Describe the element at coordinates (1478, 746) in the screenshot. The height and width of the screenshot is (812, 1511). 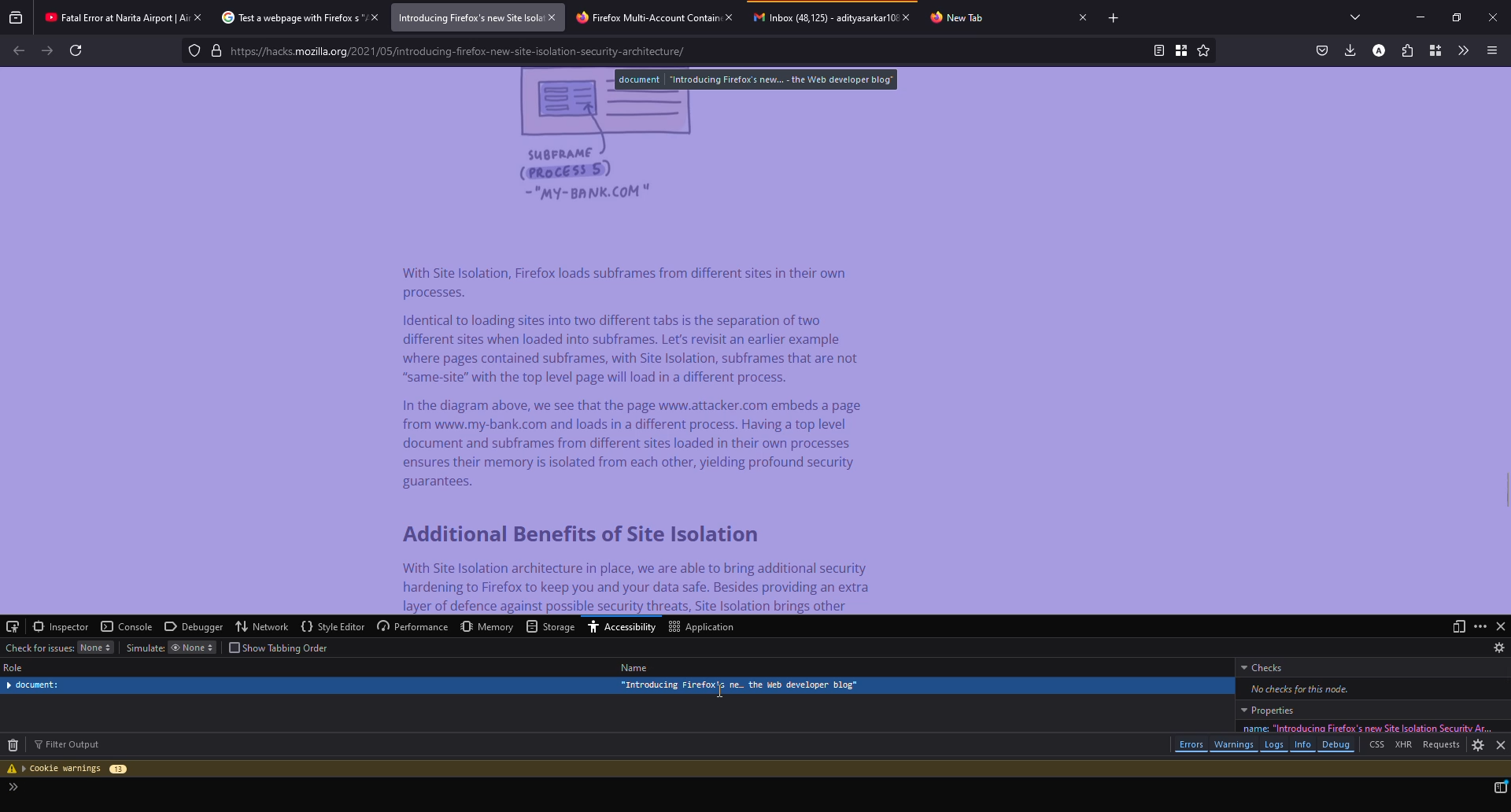
I see `settigs` at that location.